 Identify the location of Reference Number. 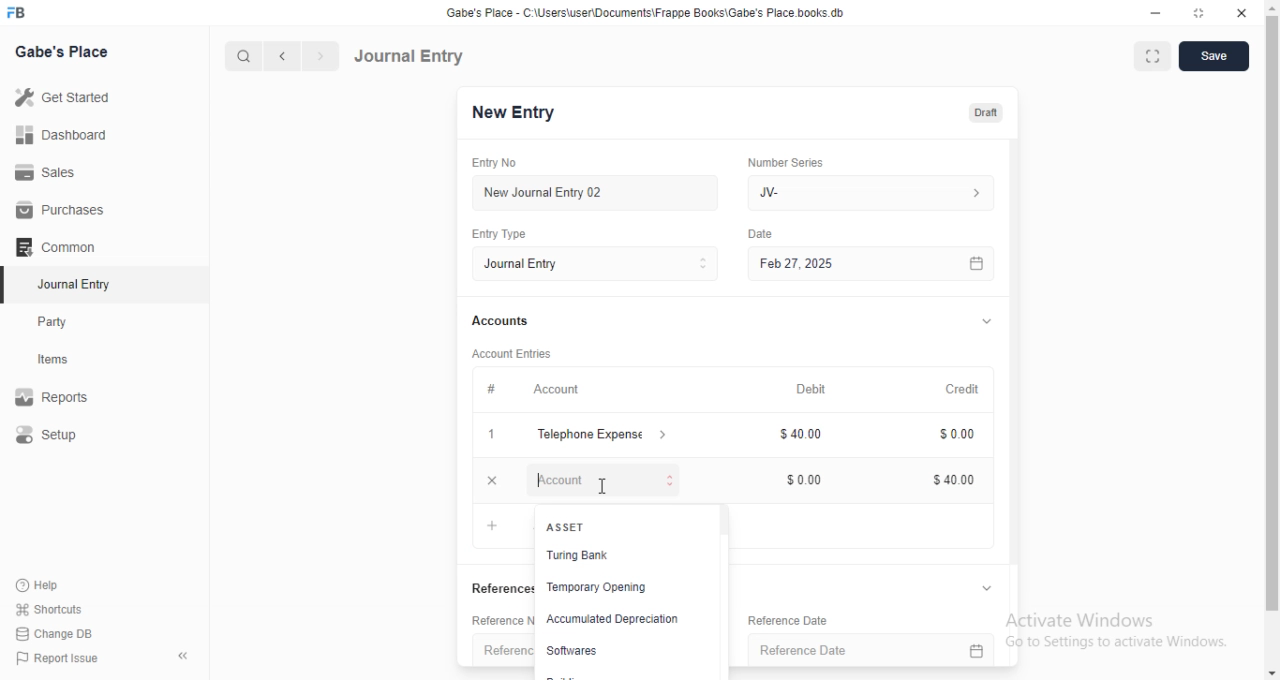
(476, 623).